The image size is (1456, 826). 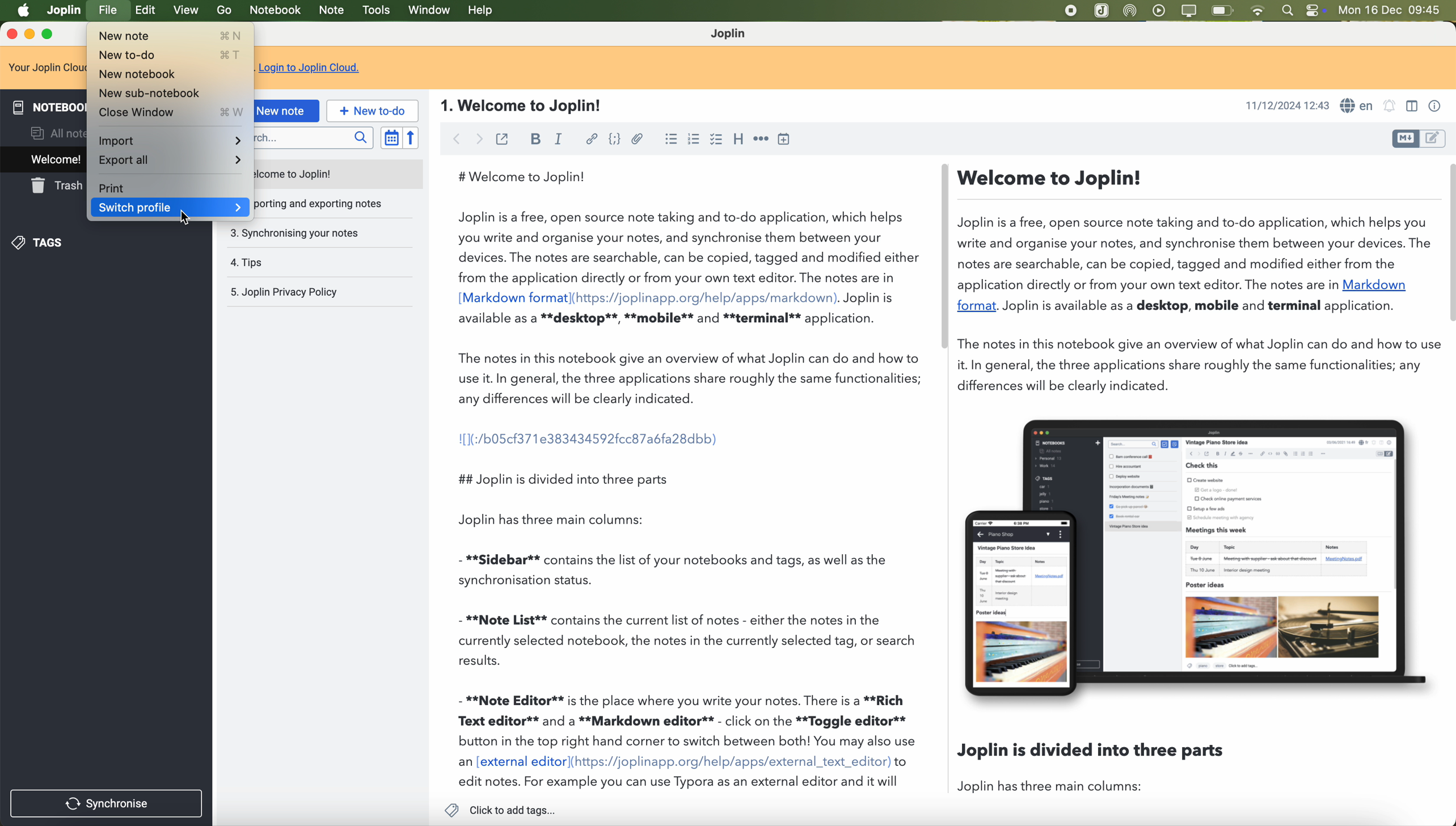 What do you see at coordinates (940, 256) in the screenshot?
I see `scroll bar` at bounding box center [940, 256].